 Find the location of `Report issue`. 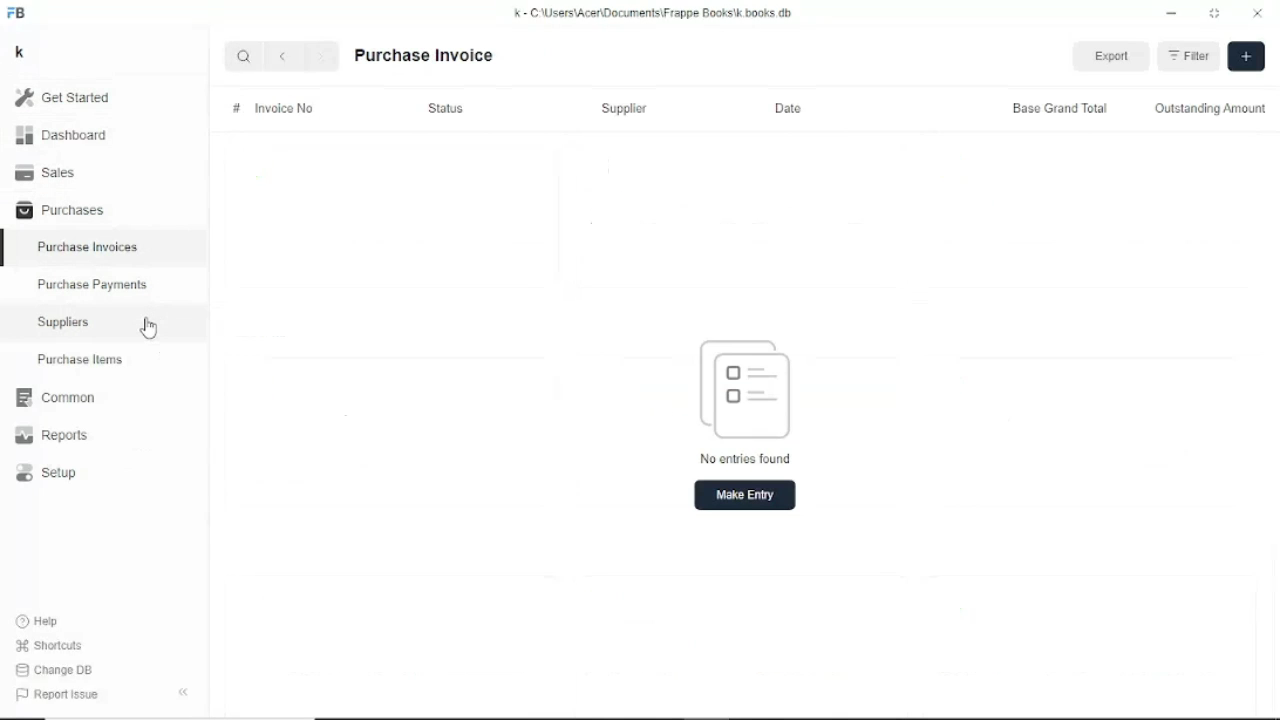

Report issue is located at coordinates (56, 696).